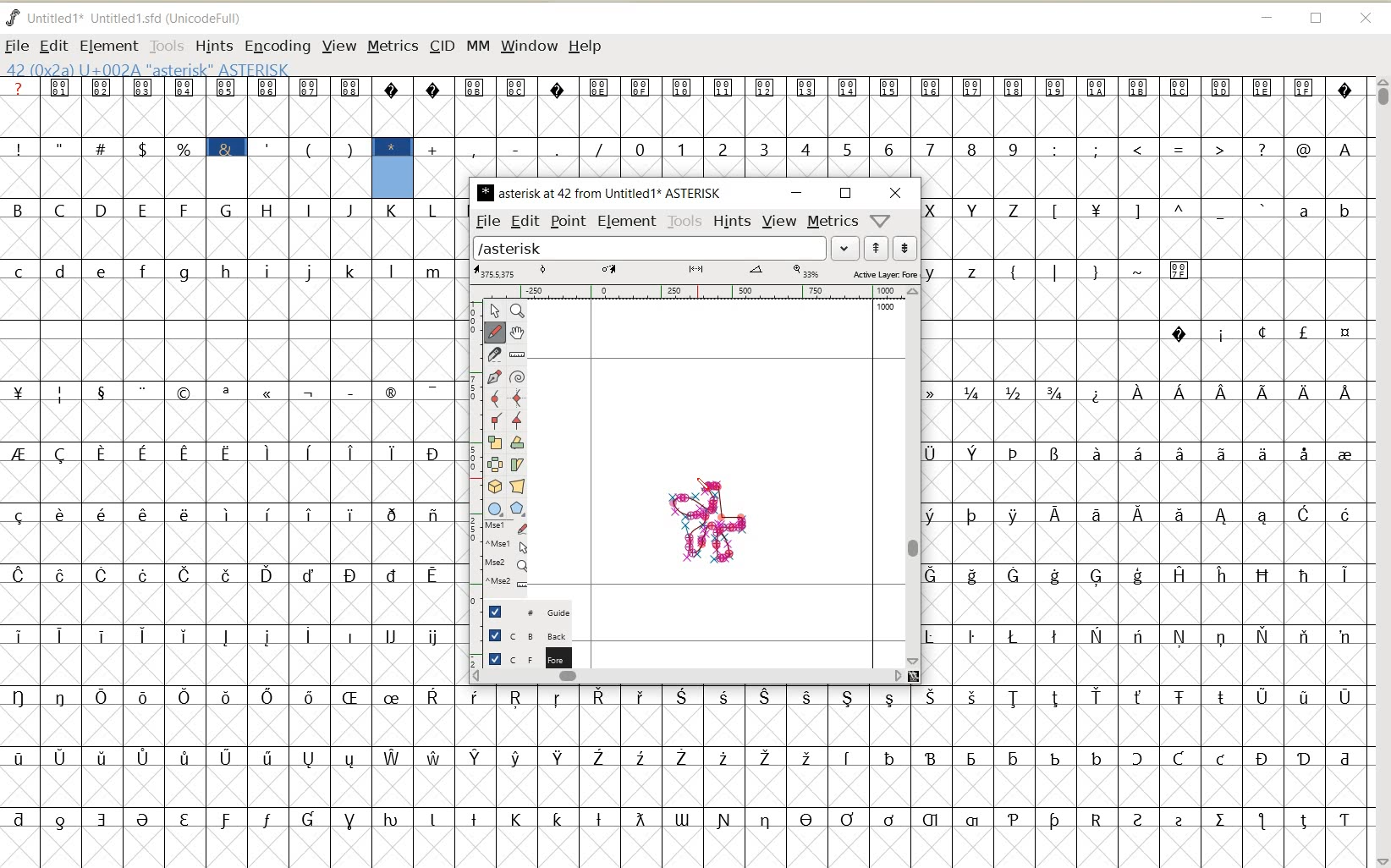 This screenshot has height=868, width=1391. What do you see at coordinates (166, 46) in the screenshot?
I see `TOOLS` at bounding box center [166, 46].